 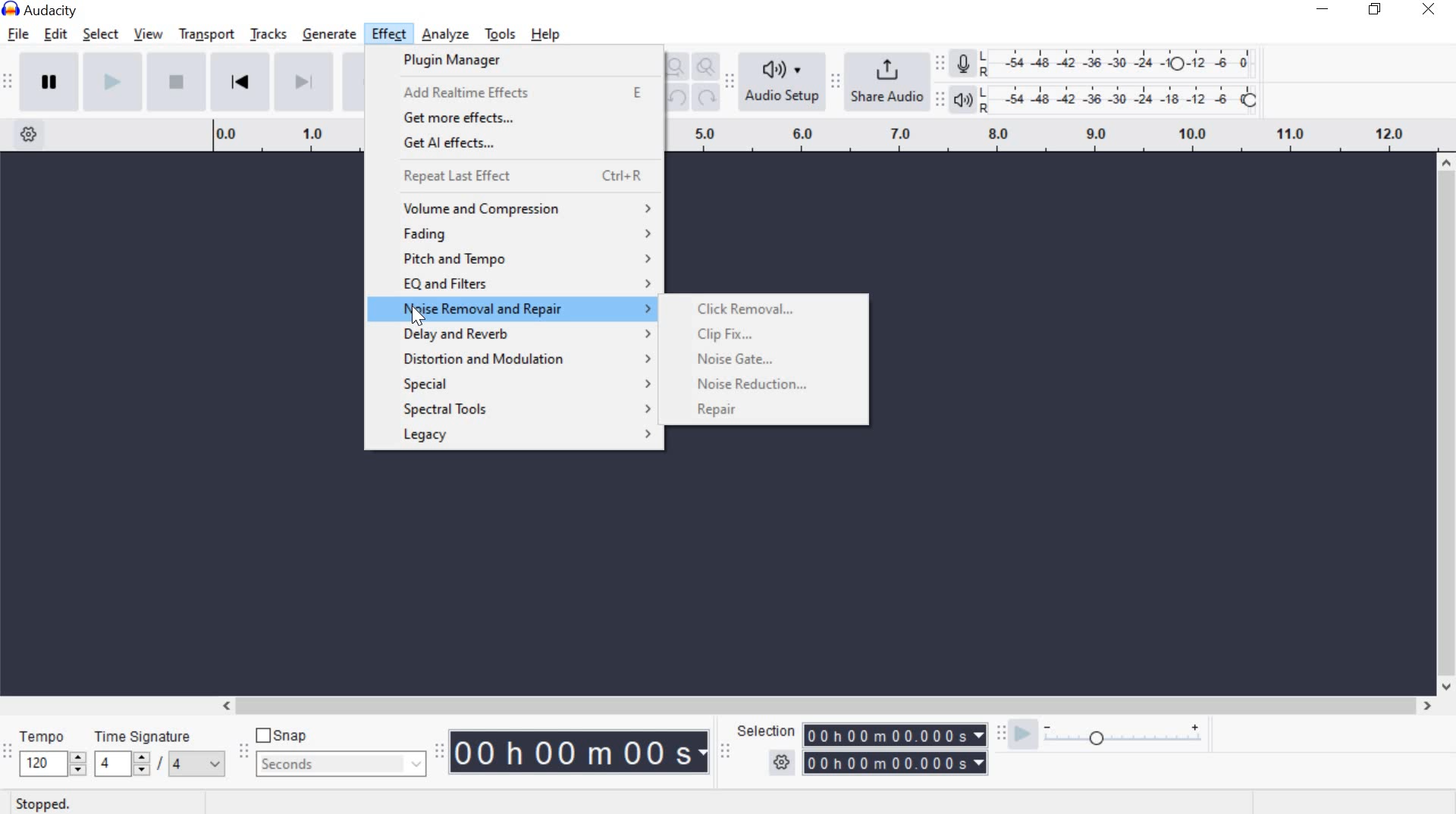 What do you see at coordinates (724, 412) in the screenshot?
I see `repair` at bounding box center [724, 412].